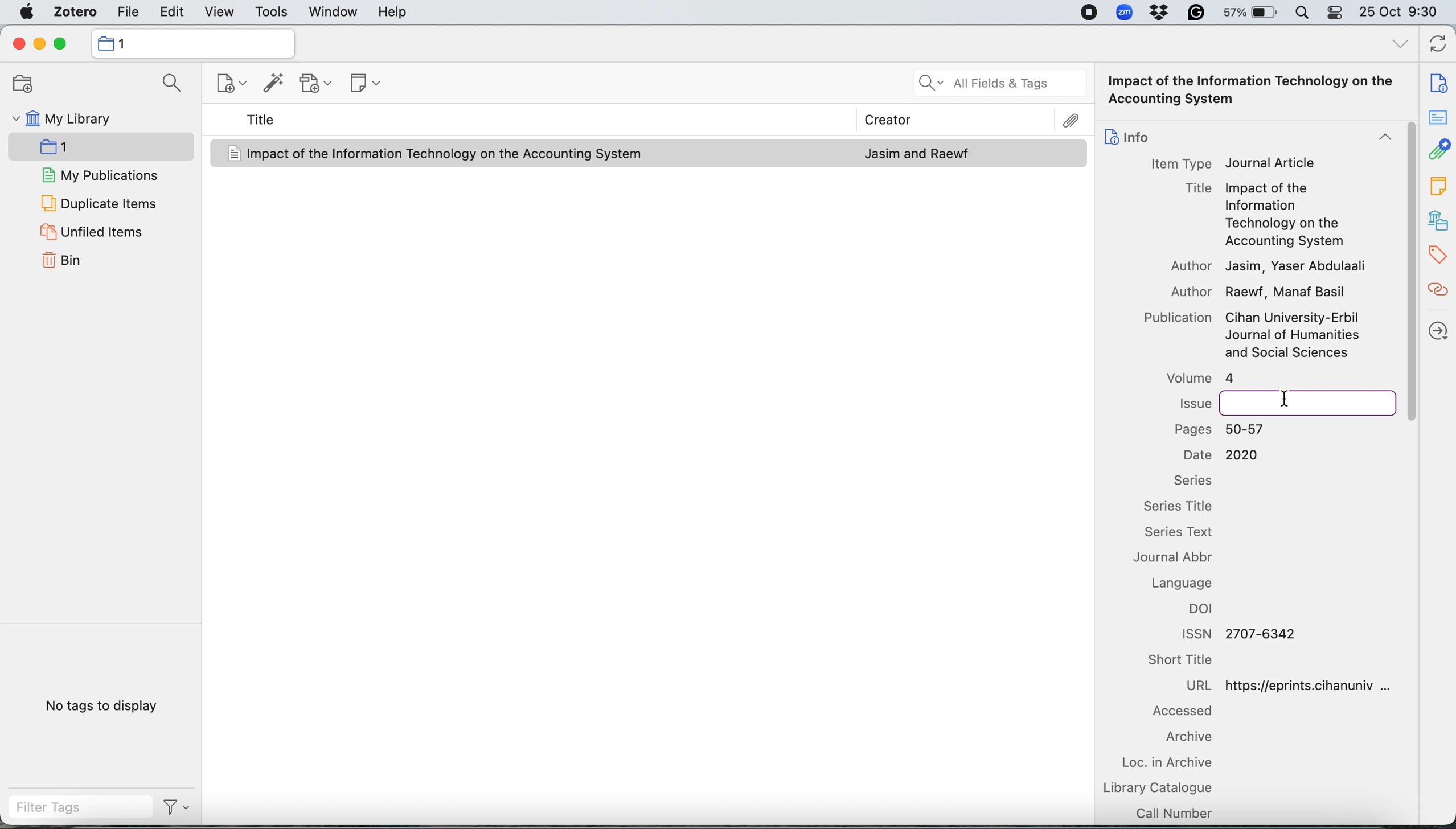 This screenshot has height=829, width=1456. I want to click on Text cursor, so click(1287, 397).